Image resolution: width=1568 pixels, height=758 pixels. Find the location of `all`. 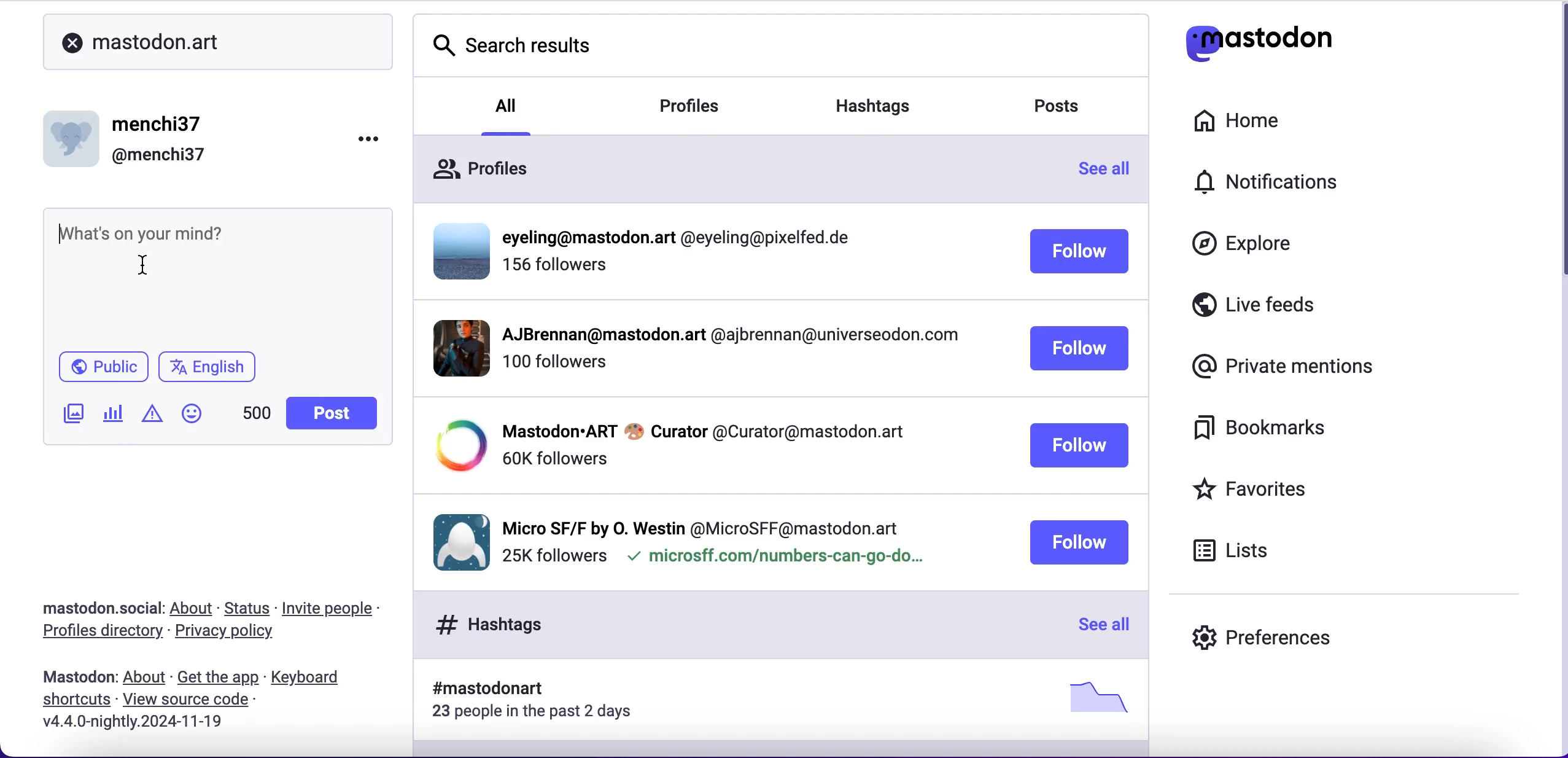

all is located at coordinates (508, 104).